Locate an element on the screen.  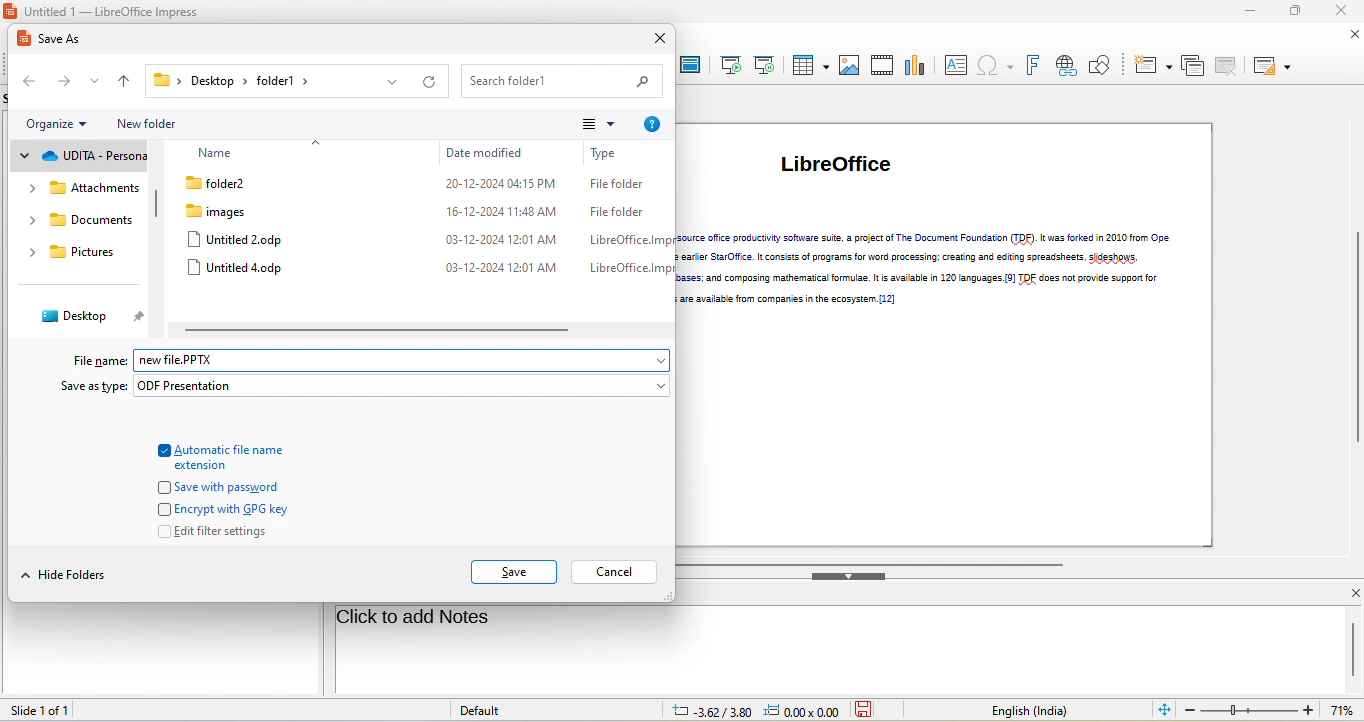
encrypt with gpg key is located at coordinates (221, 508).